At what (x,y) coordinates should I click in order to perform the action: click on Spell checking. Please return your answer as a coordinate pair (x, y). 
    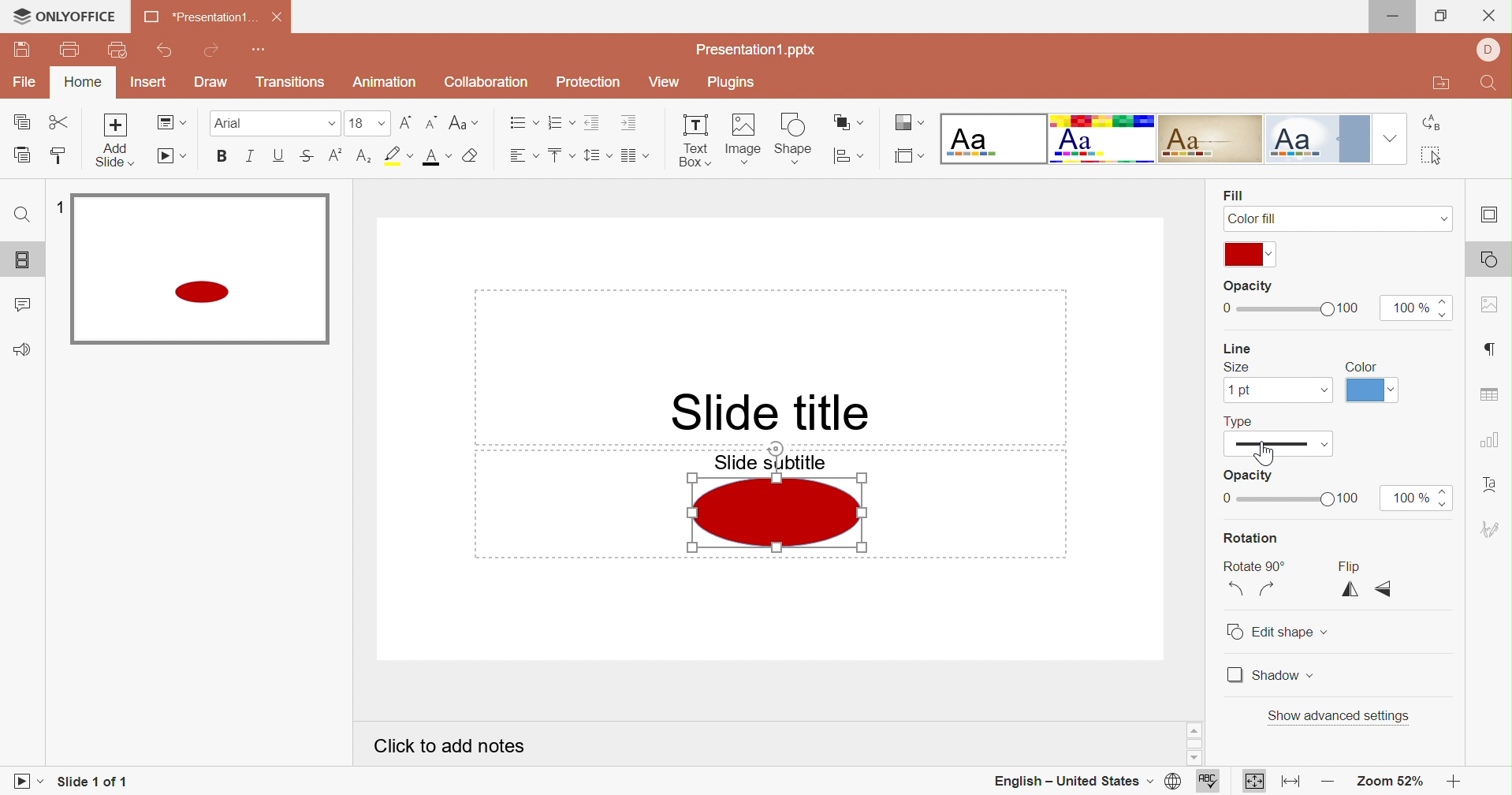
    Looking at the image, I should click on (1210, 781).